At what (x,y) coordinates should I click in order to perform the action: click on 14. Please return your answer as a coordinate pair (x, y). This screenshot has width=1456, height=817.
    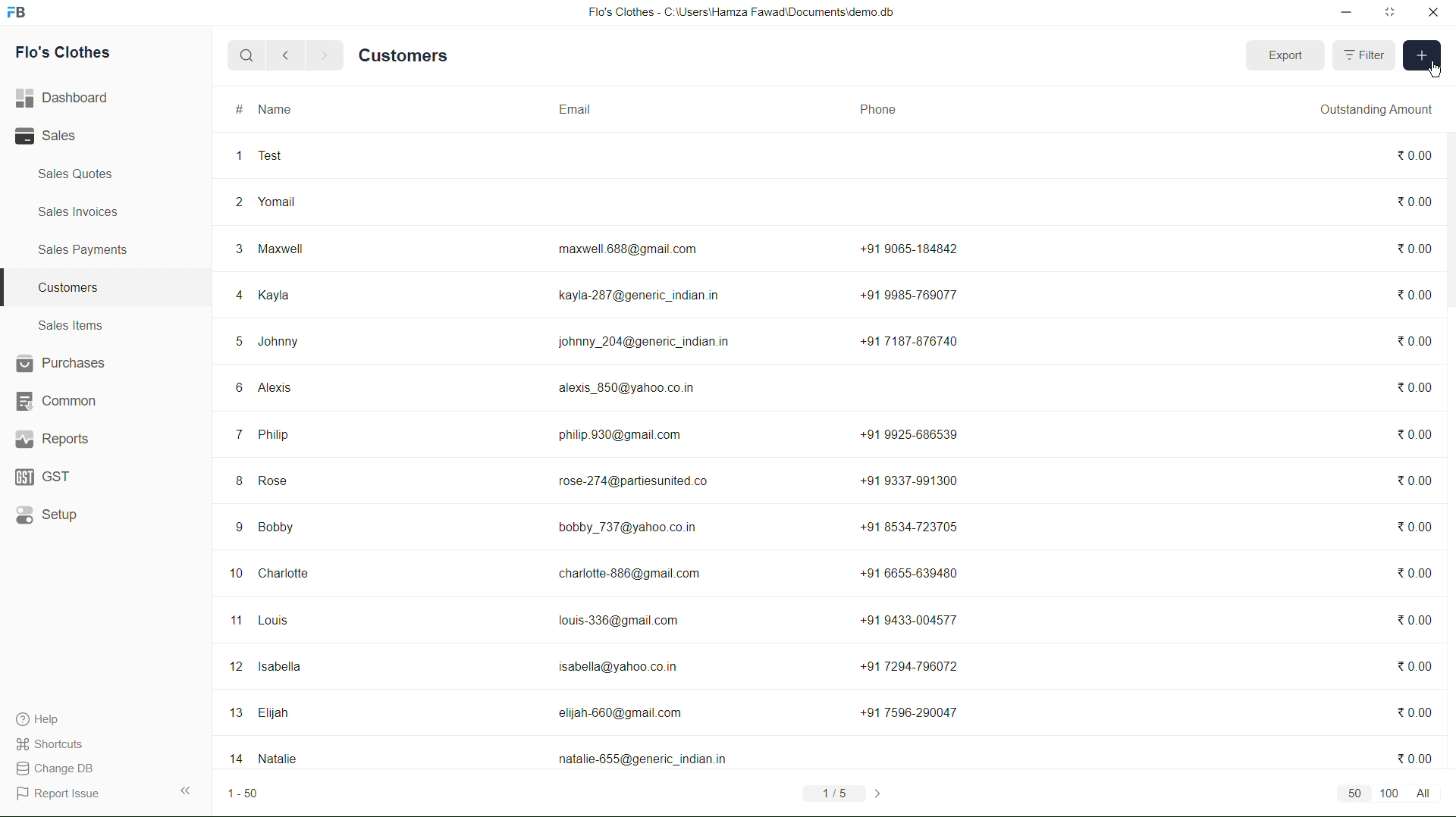
    Looking at the image, I should click on (239, 757).